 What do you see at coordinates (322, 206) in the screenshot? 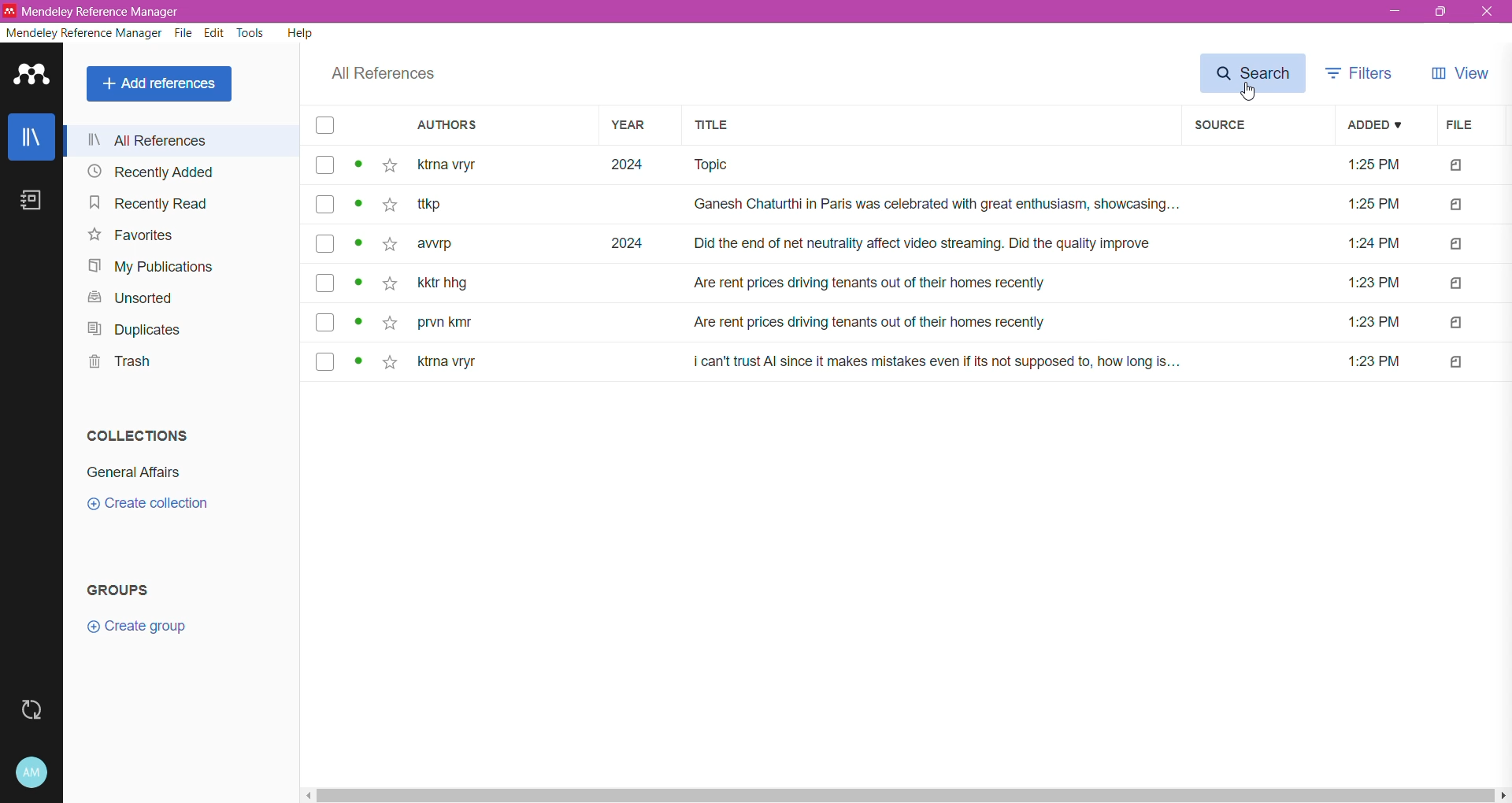
I see `select file` at bounding box center [322, 206].